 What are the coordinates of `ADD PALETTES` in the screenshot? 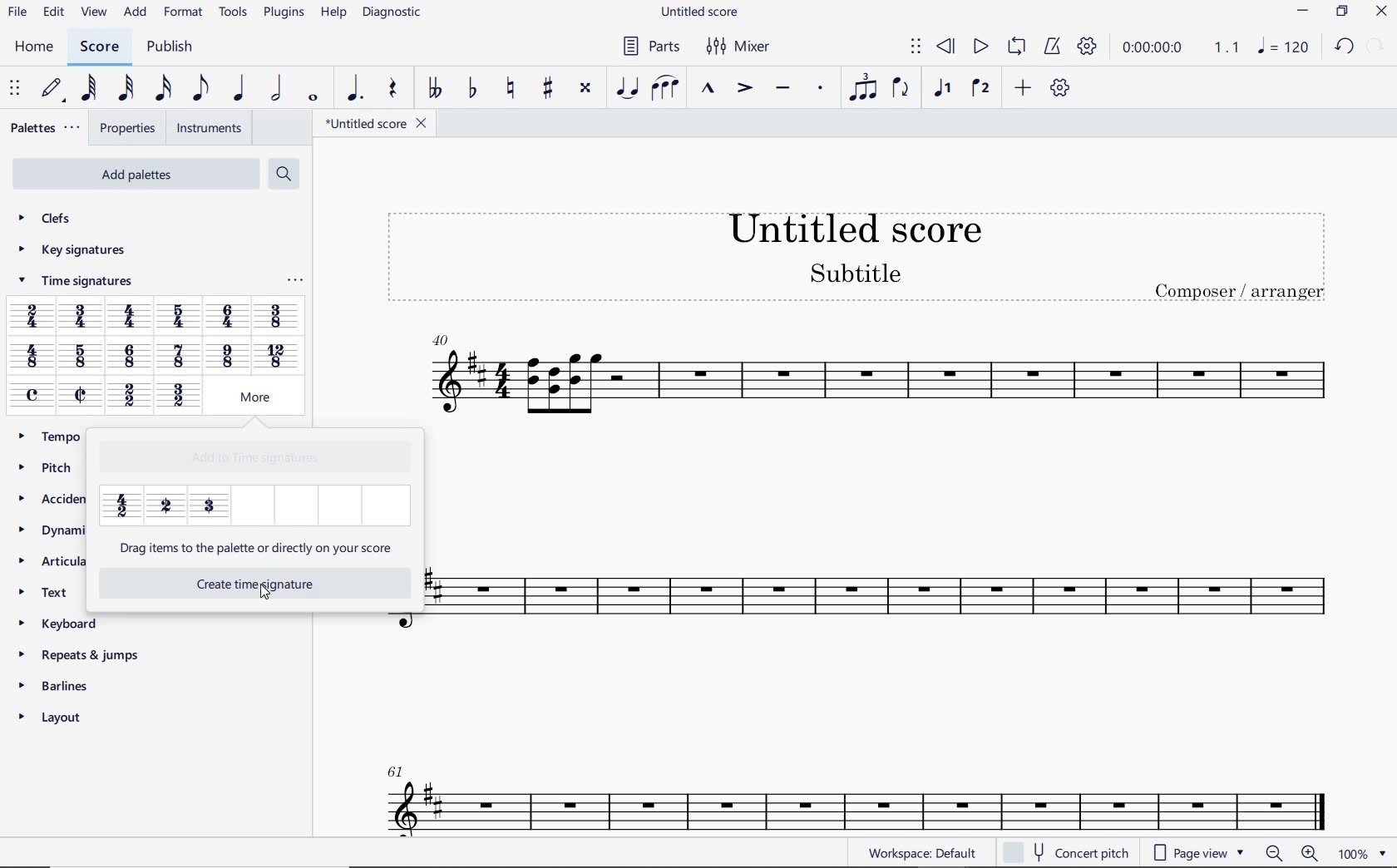 It's located at (135, 175).